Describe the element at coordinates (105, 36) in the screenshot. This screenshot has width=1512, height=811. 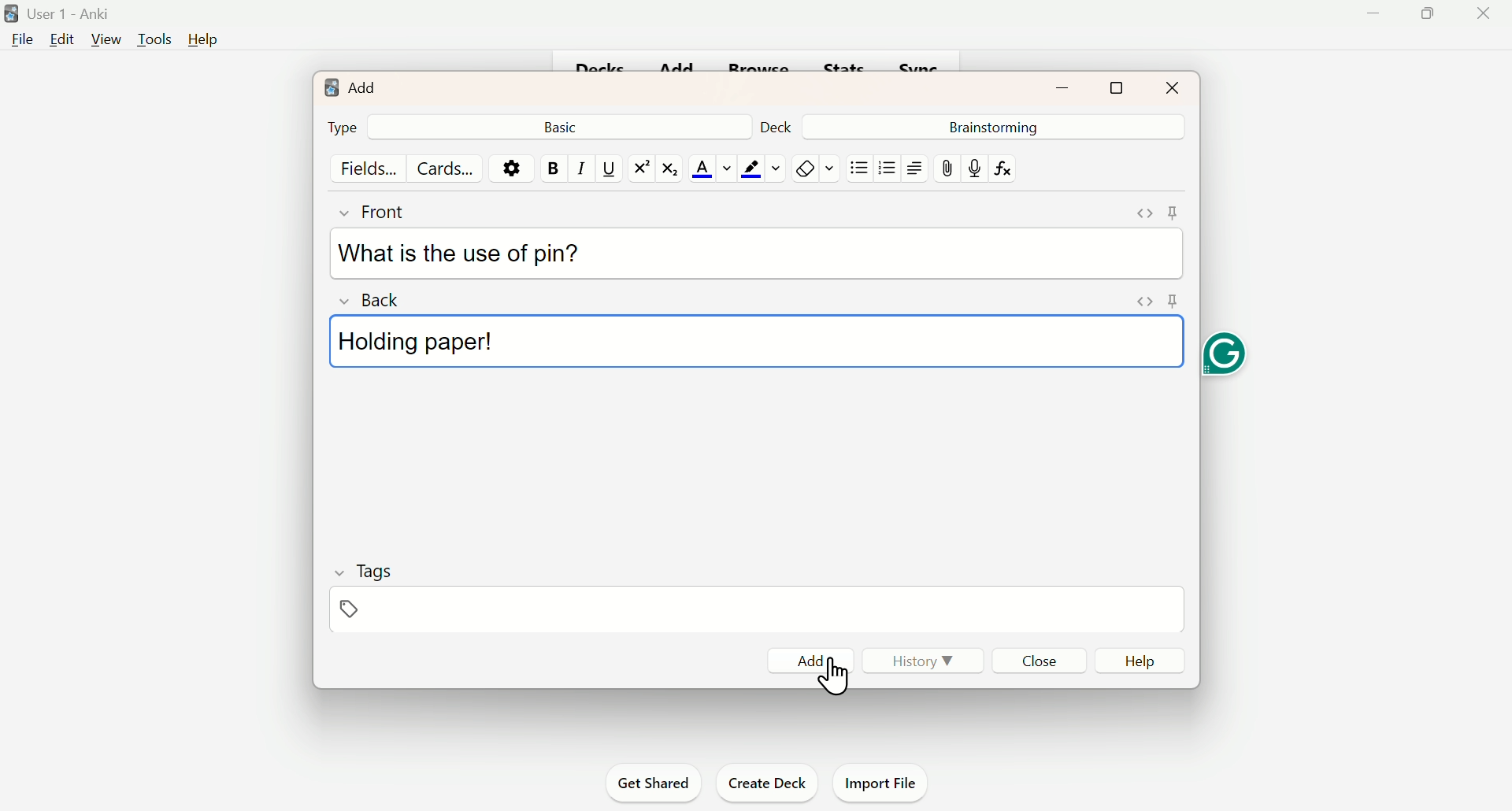
I see `` at that location.